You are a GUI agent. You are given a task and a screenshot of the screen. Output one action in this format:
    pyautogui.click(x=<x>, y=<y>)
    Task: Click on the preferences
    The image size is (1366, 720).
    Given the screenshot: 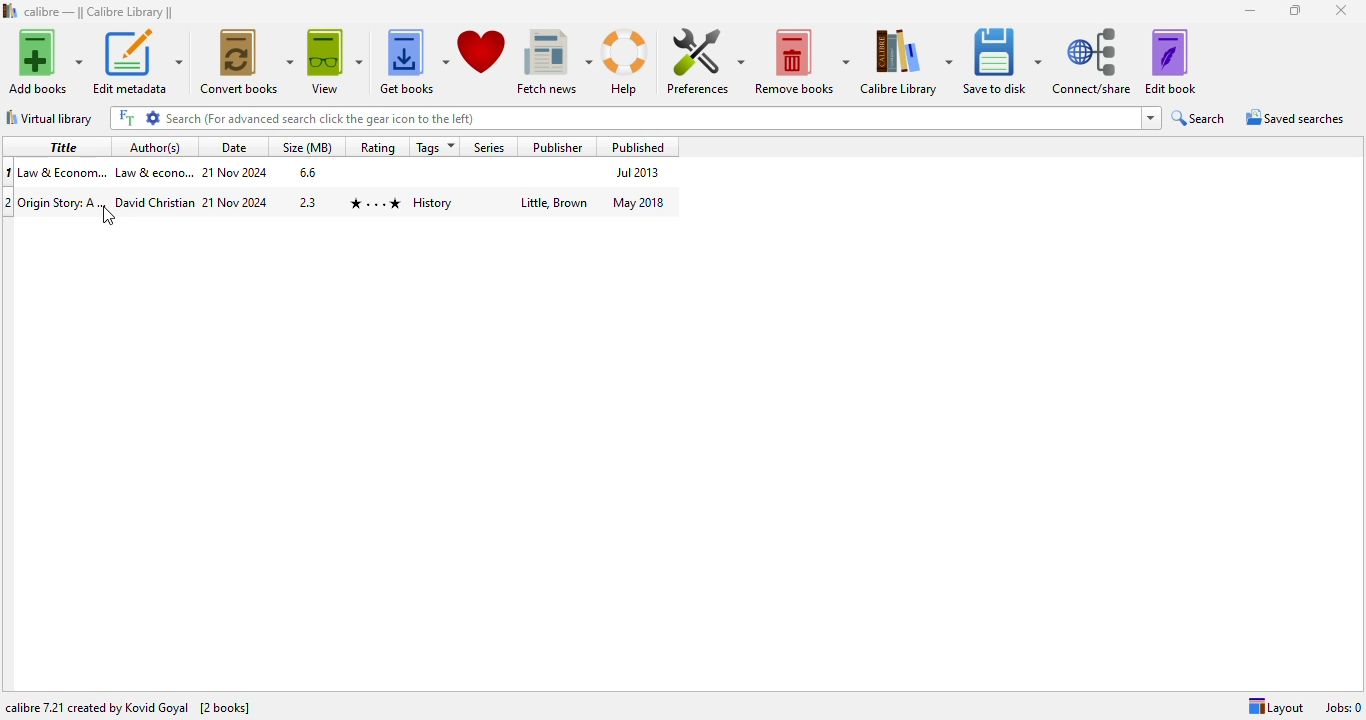 What is the action you would take?
    pyautogui.click(x=704, y=61)
    